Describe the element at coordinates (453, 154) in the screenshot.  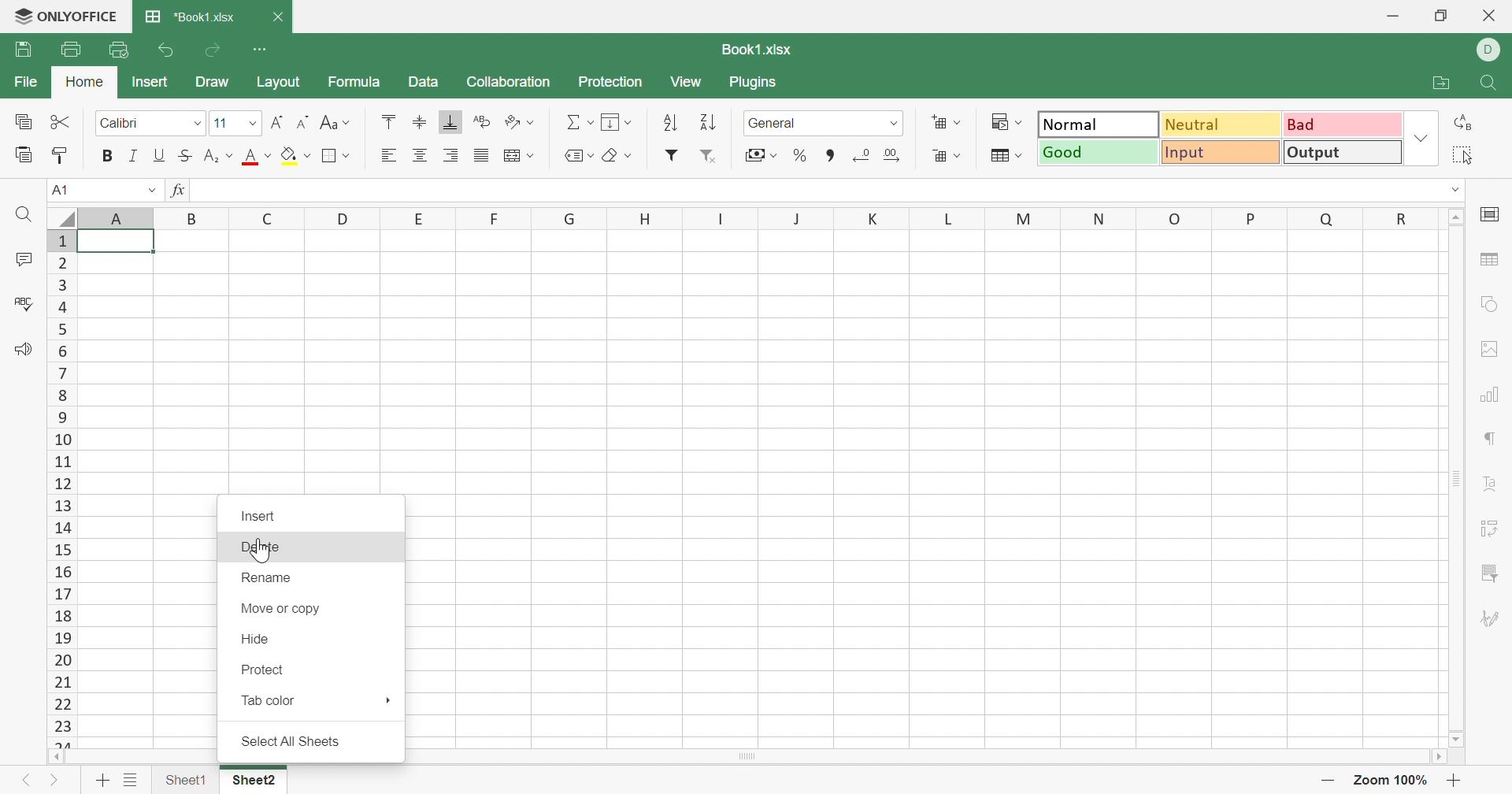
I see `Align Right` at that location.